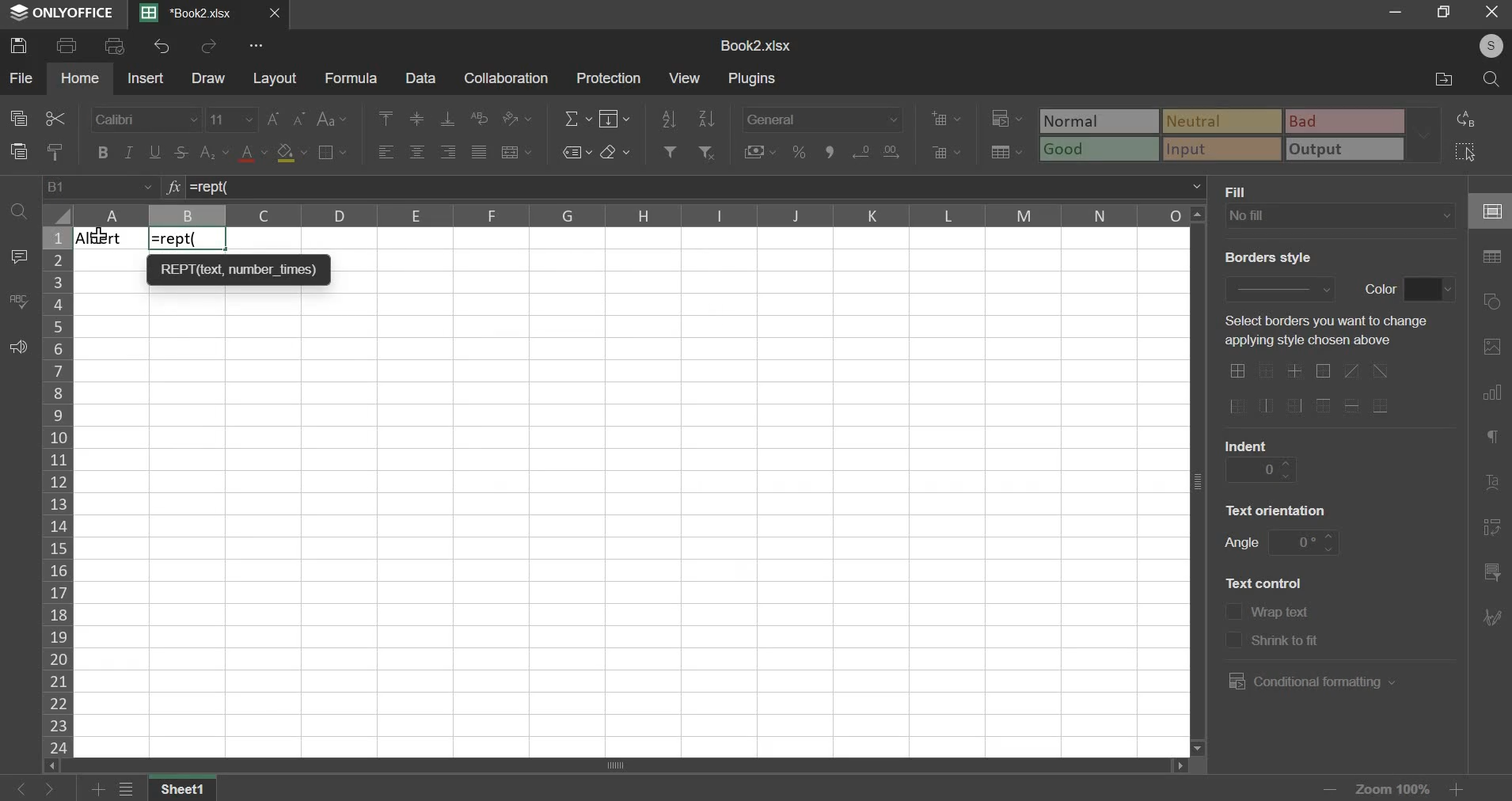 The image size is (1512, 801). Describe the element at coordinates (671, 151) in the screenshot. I see `add filter` at that location.